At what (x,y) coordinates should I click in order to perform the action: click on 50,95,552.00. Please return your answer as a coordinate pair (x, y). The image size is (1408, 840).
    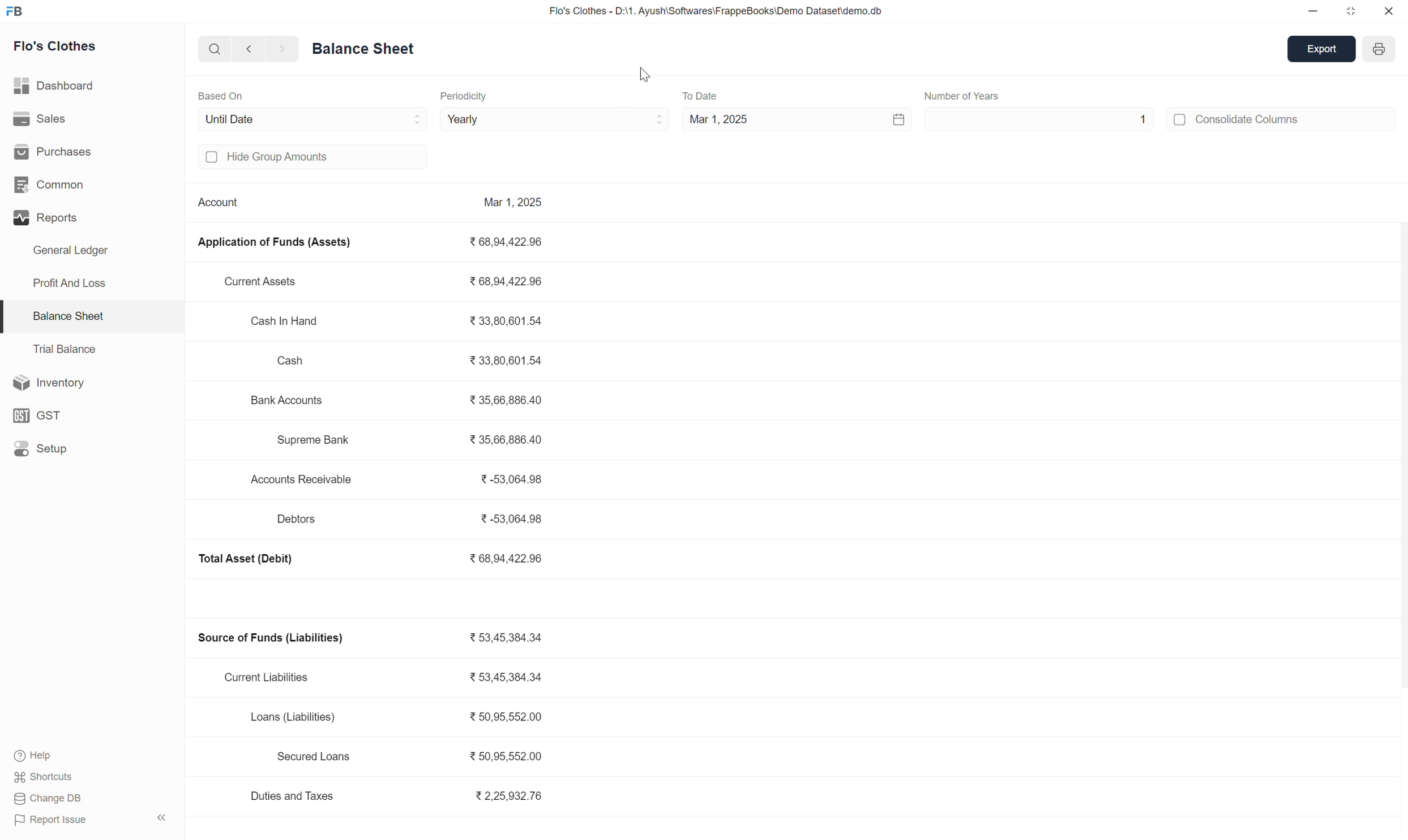
    Looking at the image, I should click on (512, 756).